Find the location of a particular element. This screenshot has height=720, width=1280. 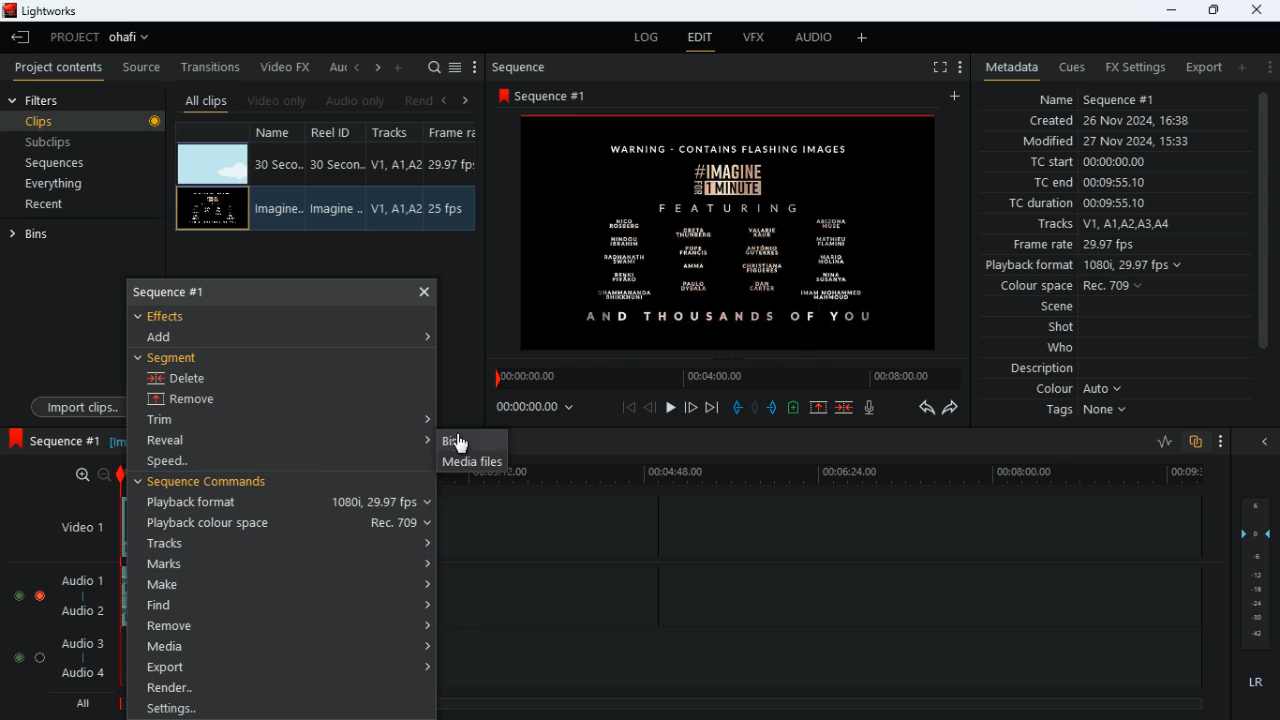

tracks is located at coordinates (283, 543).